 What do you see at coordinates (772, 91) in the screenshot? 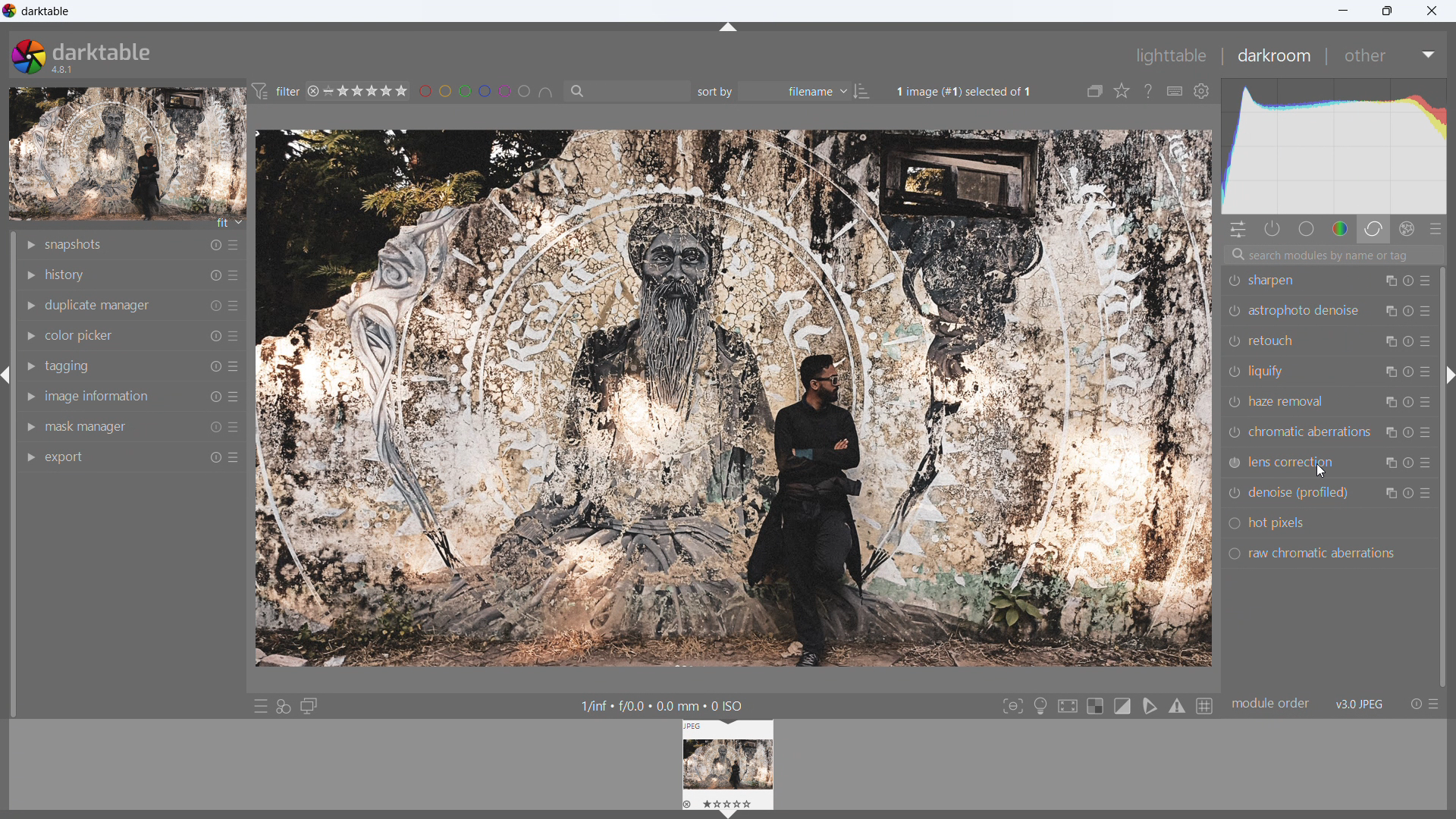
I see `sort by` at bounding box center [772, 91].